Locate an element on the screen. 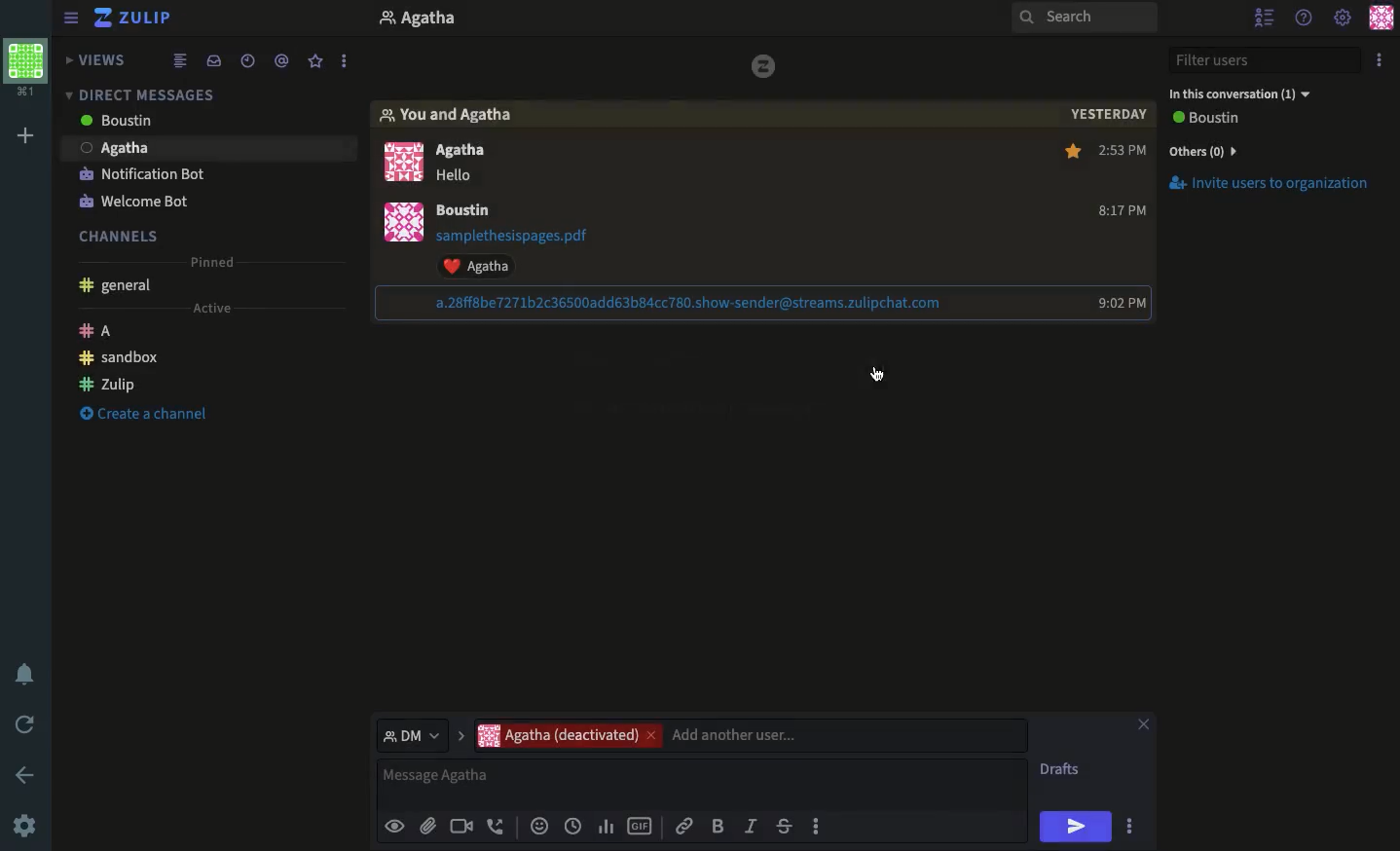 This screenshot has height=851, width=1400. Reaction is located at coordinates (487, 266).